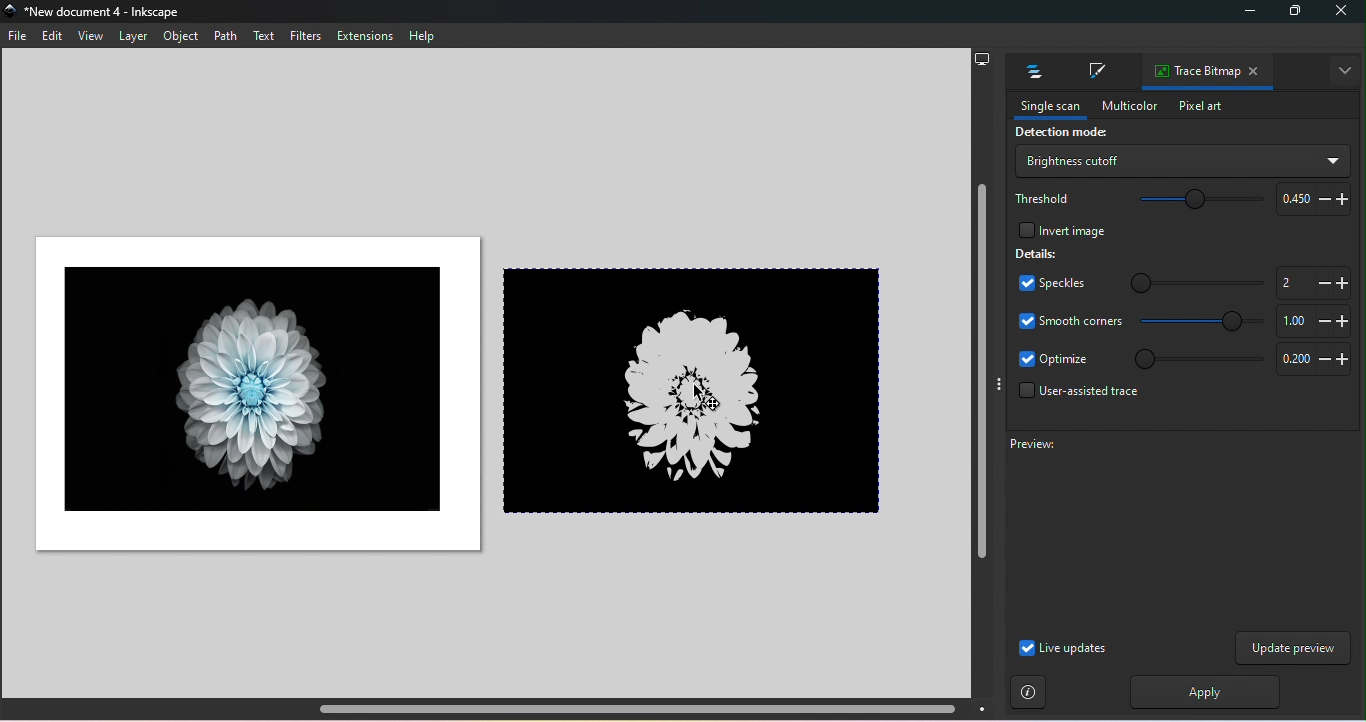 The height and width of the screenshot is (722, 1366). Describe the element at coordinates (225, 35) in the screenshot. I see `Path` at that location.